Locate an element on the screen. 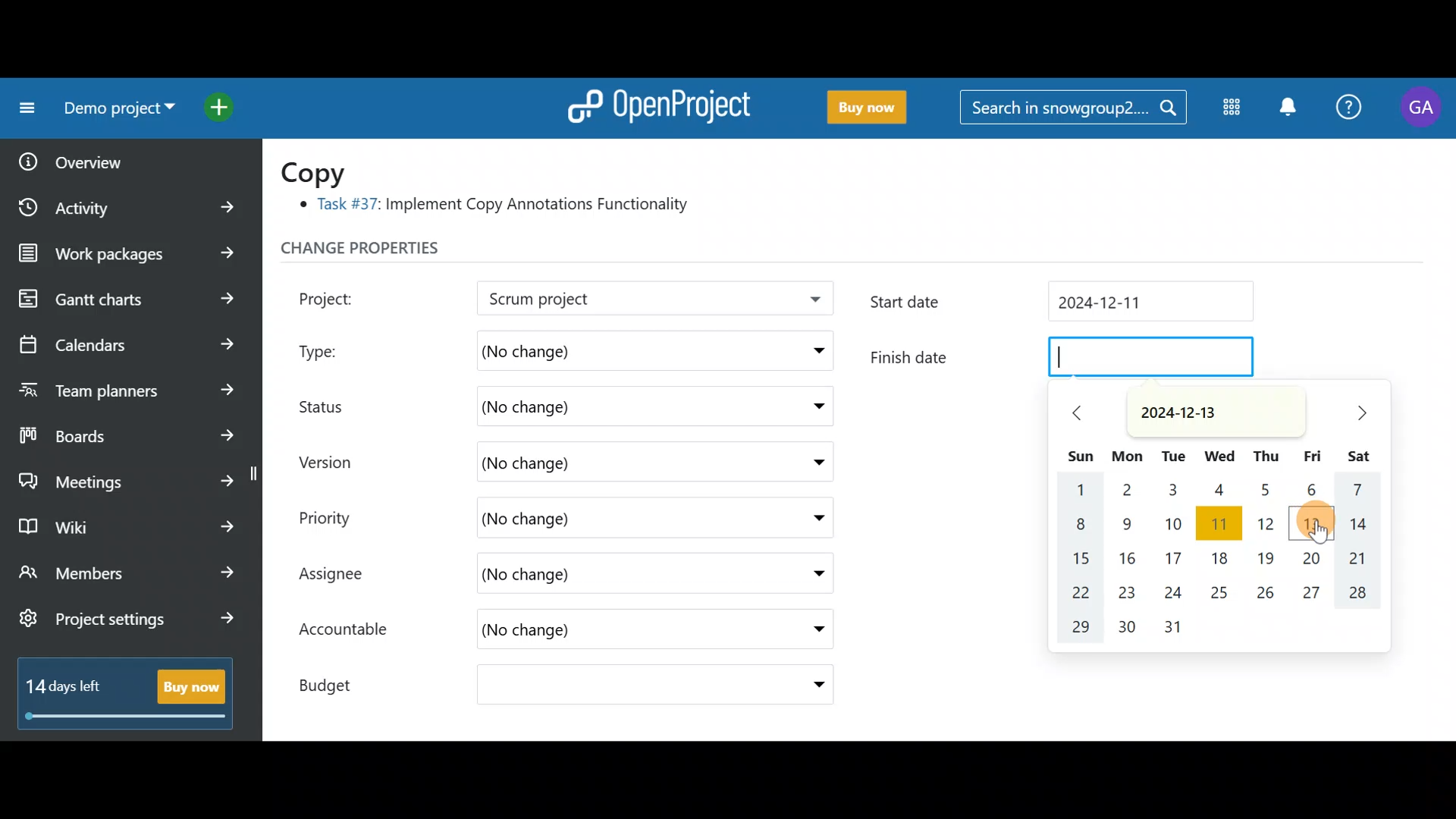 The height and width of the screenshot is (819, 1456). Back is located at coordinates (1073, 412).